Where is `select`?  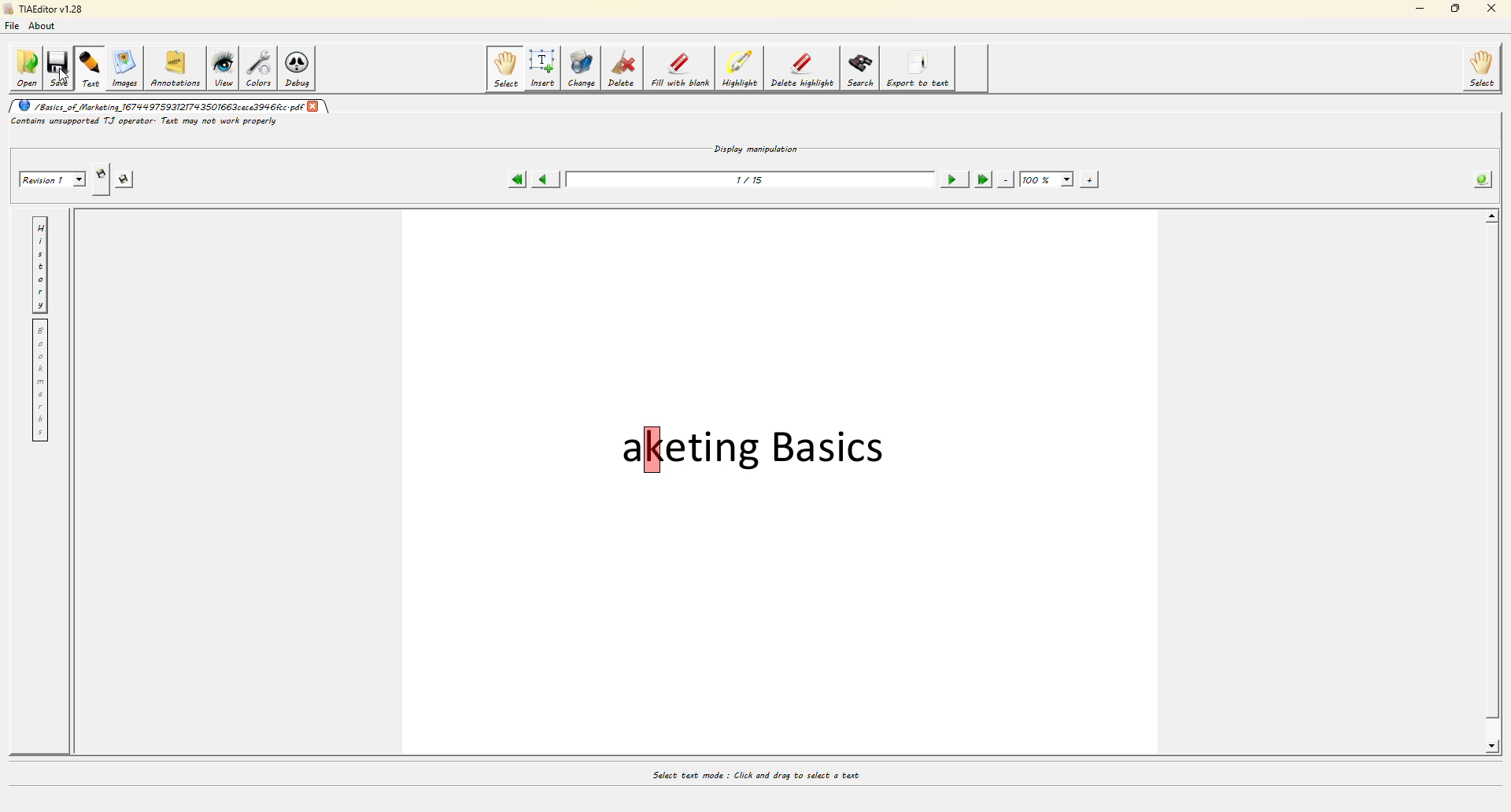 select is located at coordinates (504, 68).